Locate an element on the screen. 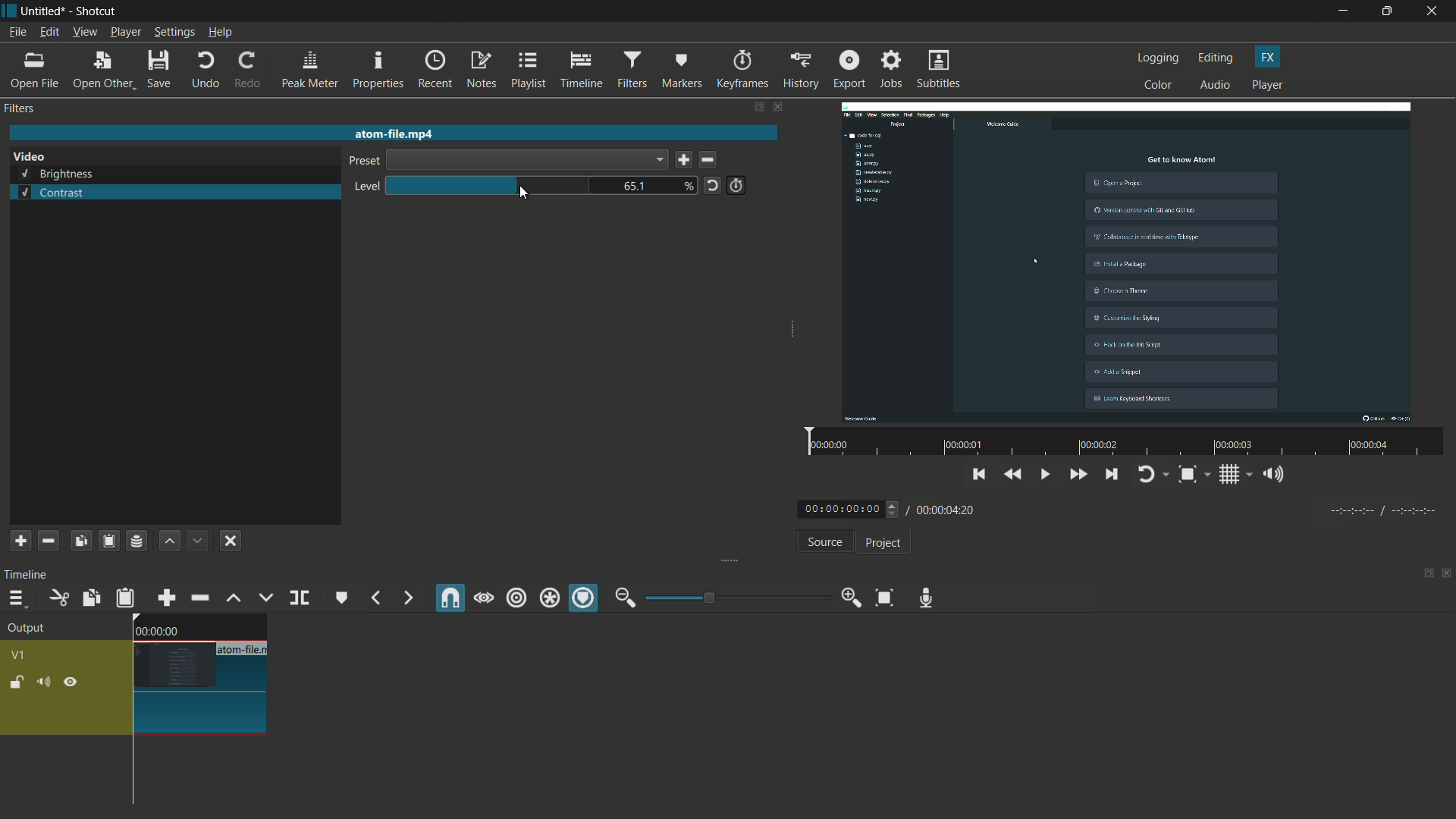 The image size is (1456, 819). save a filter set is located at coordinates (136, 542).